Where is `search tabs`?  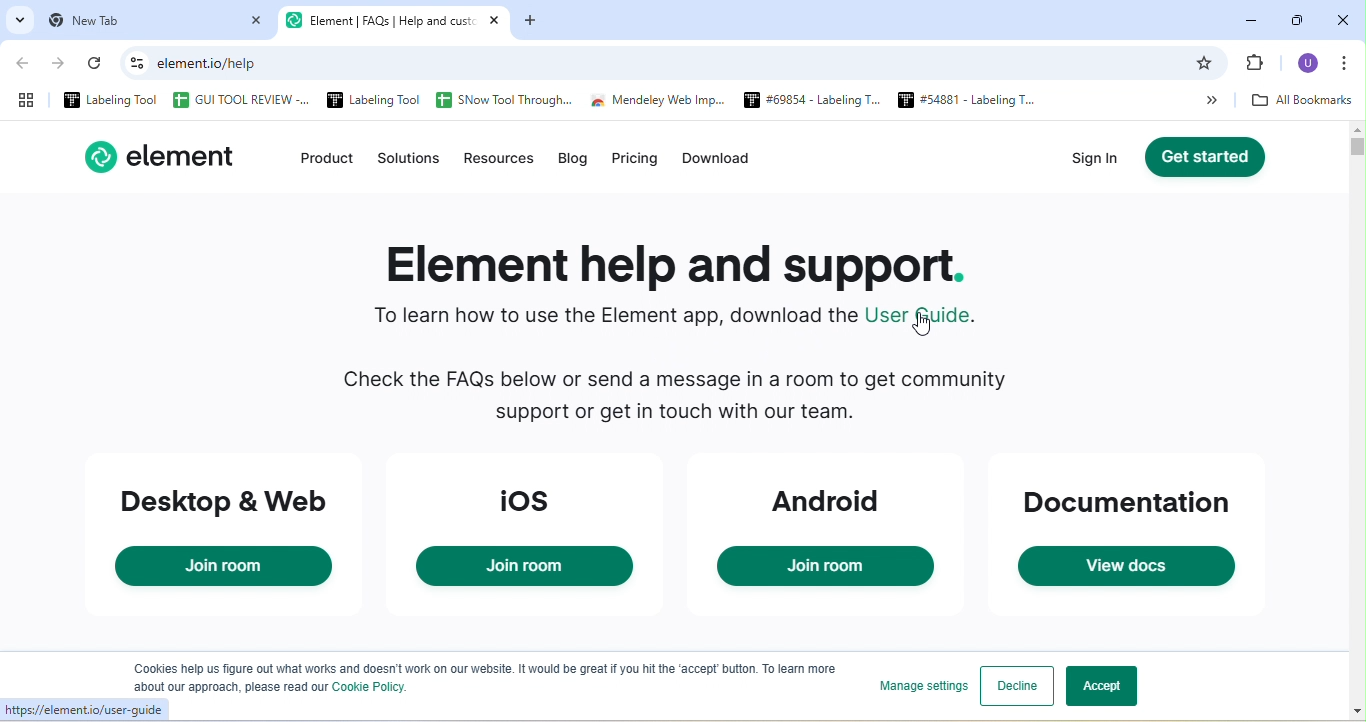 search tabs is located at coordinates (20, 21).